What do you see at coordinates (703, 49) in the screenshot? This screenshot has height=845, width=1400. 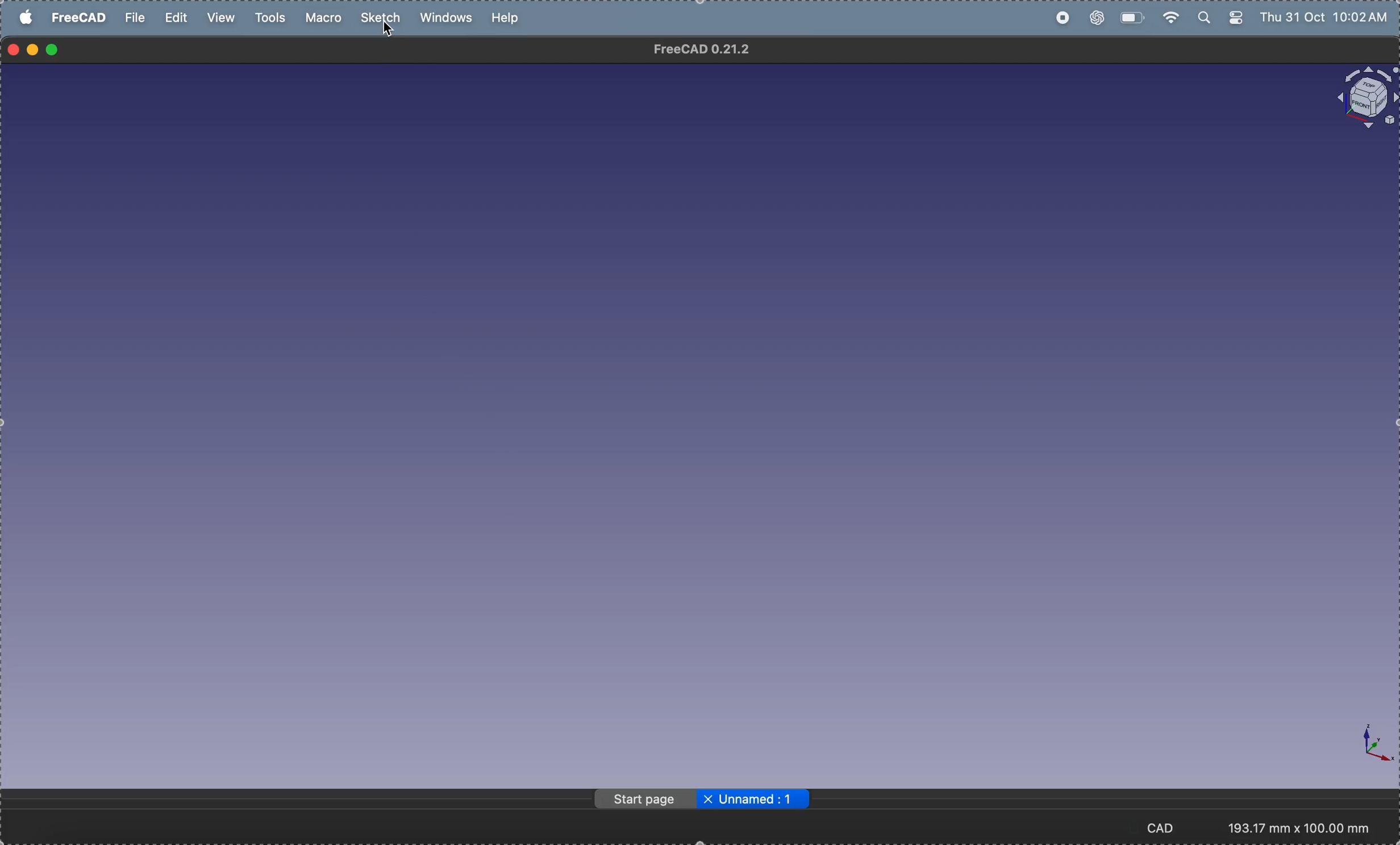 I see `FreeCAD 0.21.2` at bounding box center [703, 49].